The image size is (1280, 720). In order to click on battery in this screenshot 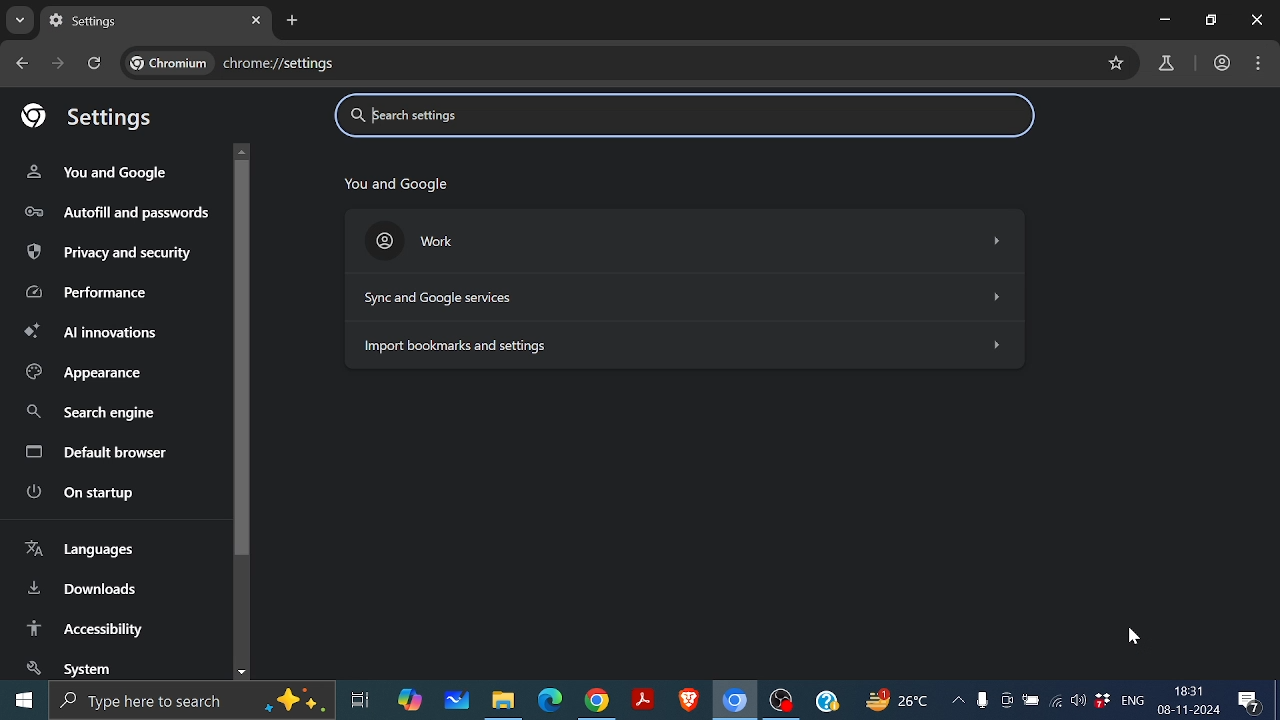, I will do `click(1031, 704)`.